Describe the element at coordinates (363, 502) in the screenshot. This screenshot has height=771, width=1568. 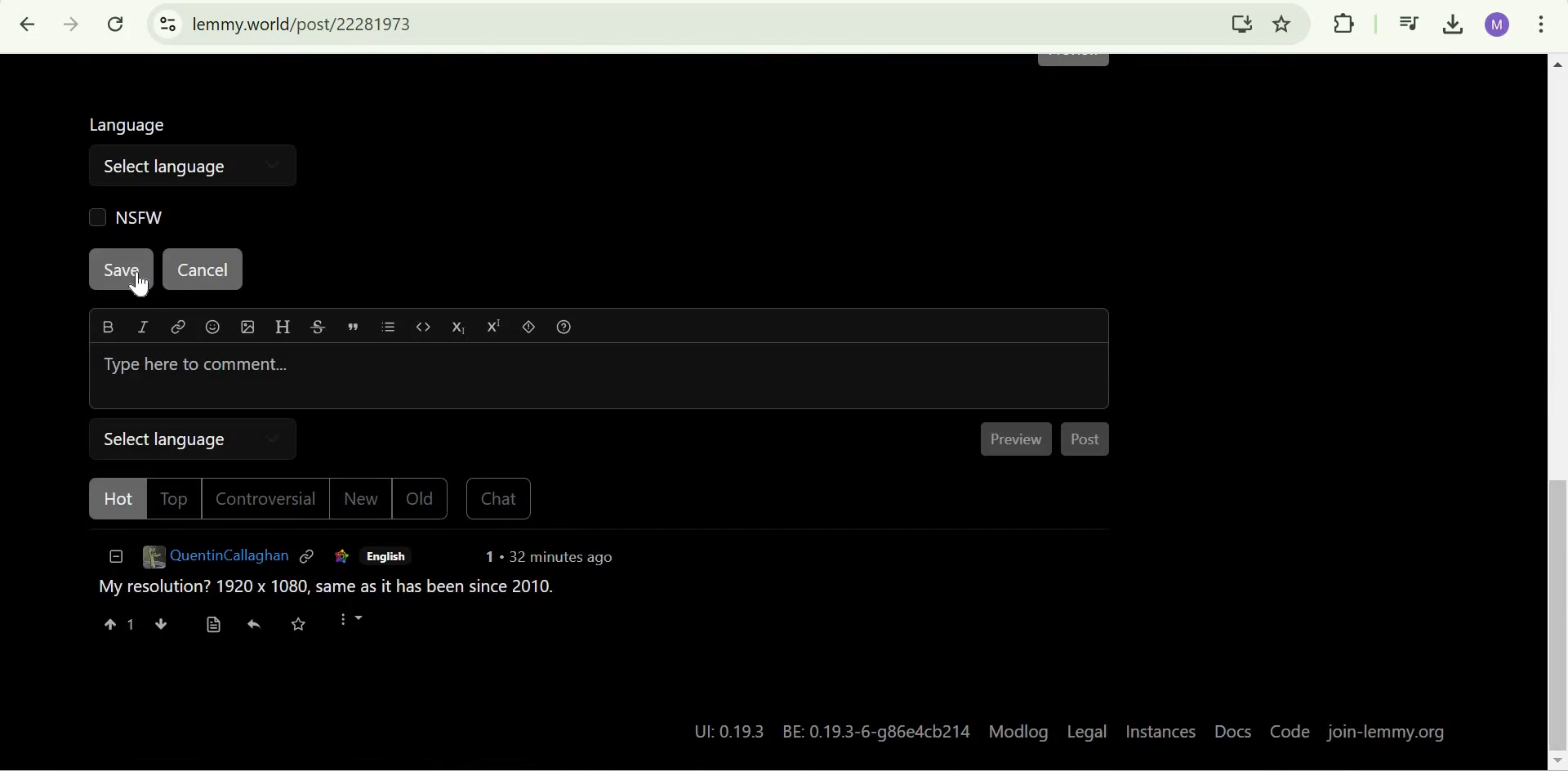
I see `New` at that location.